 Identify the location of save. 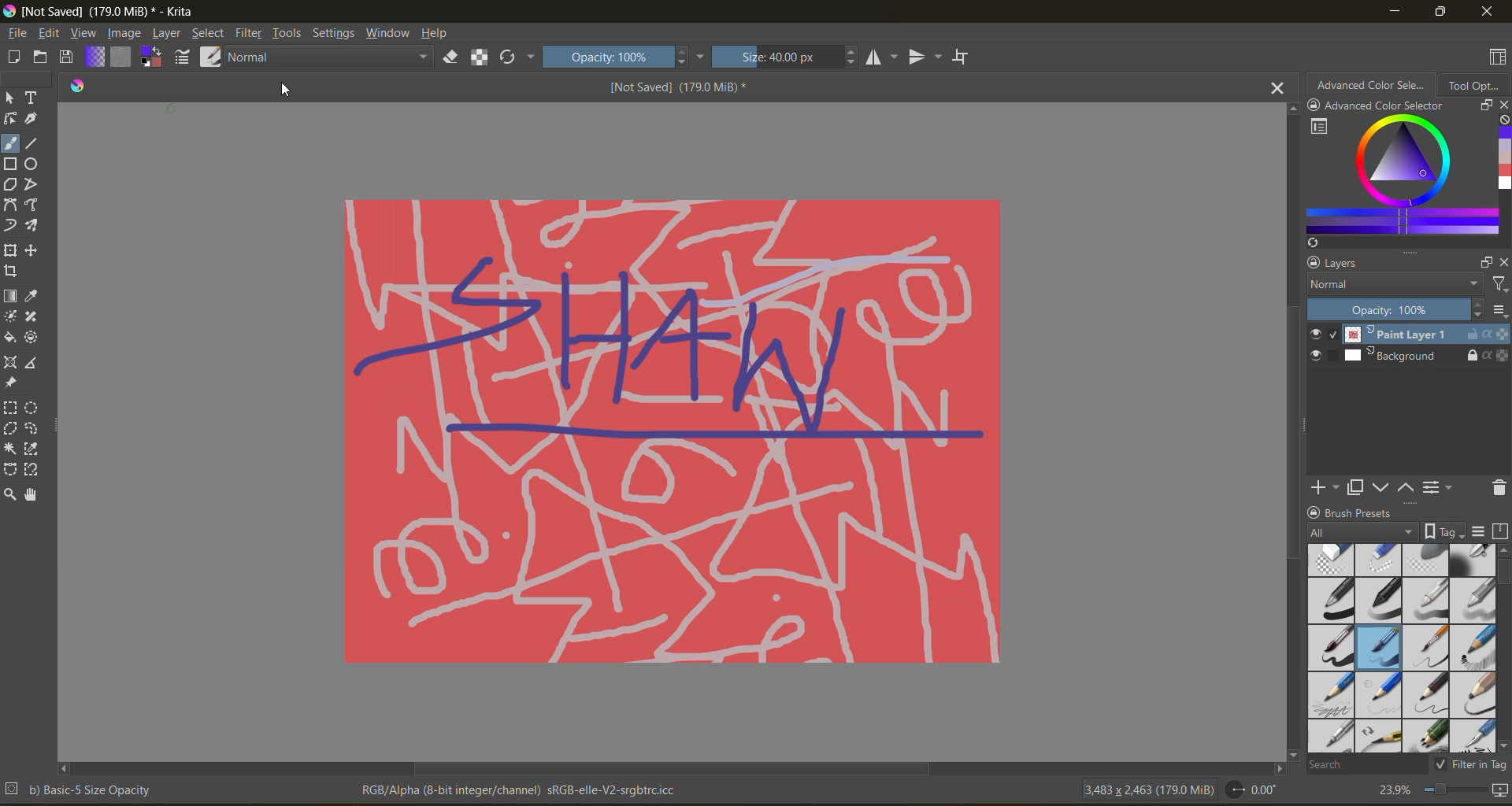
(67, 57).